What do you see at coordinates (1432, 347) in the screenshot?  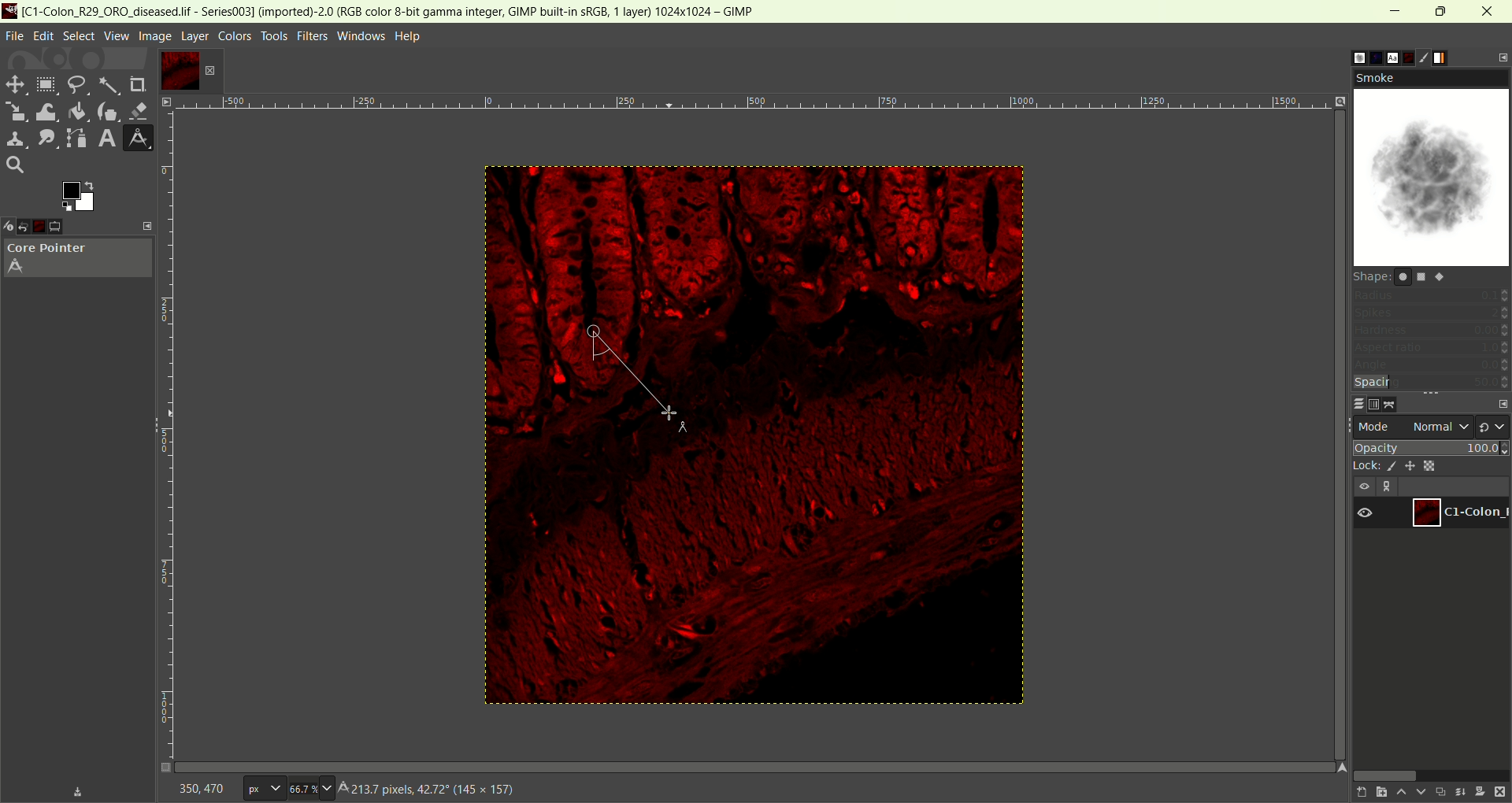 I see `aspect ratio` at bounding box center [1432, 347].